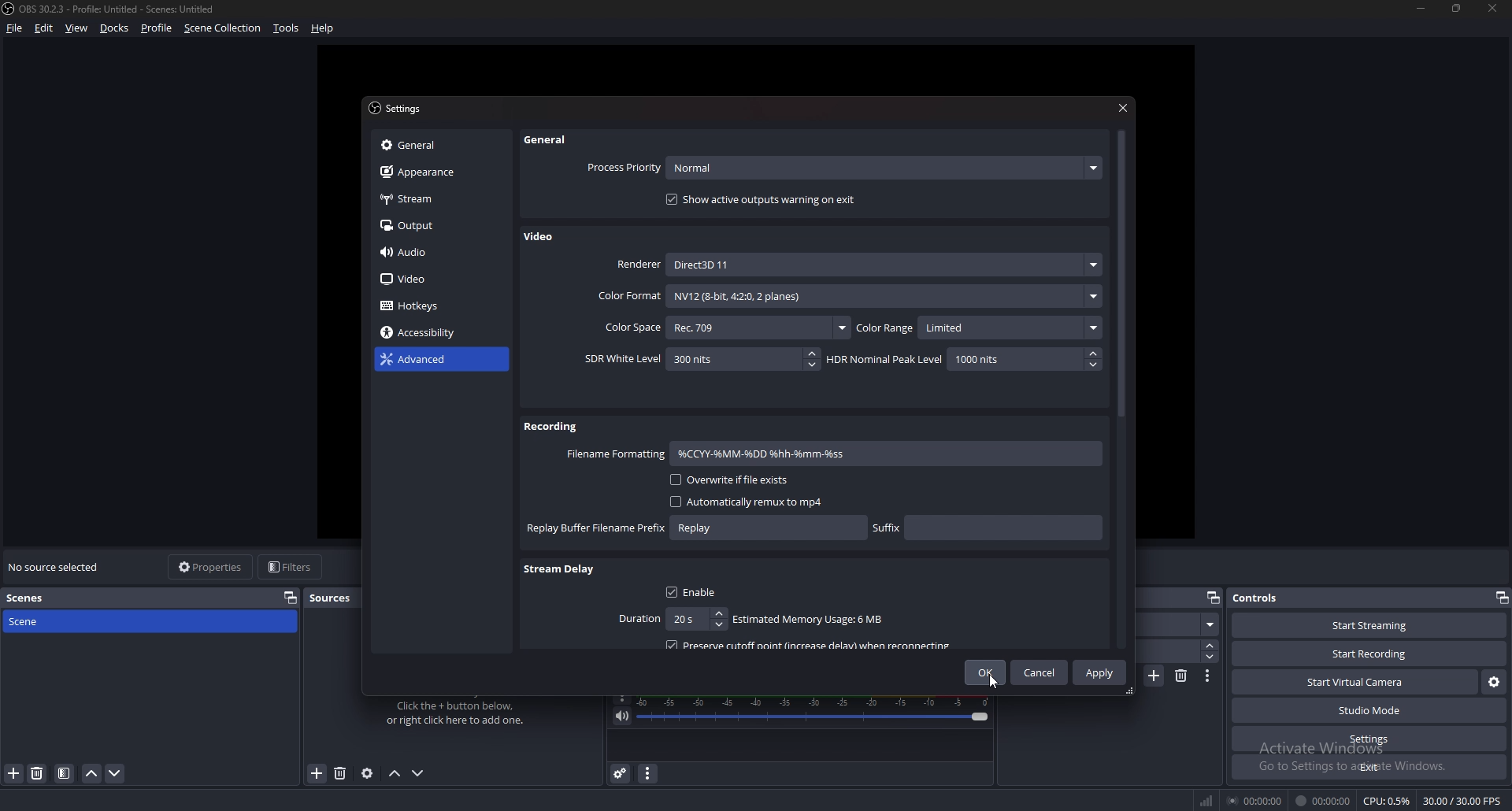  What do you see at coordinates (1121, 276) in the screenshot?
I see `scroll bar` at bounding box center [1121, 276].